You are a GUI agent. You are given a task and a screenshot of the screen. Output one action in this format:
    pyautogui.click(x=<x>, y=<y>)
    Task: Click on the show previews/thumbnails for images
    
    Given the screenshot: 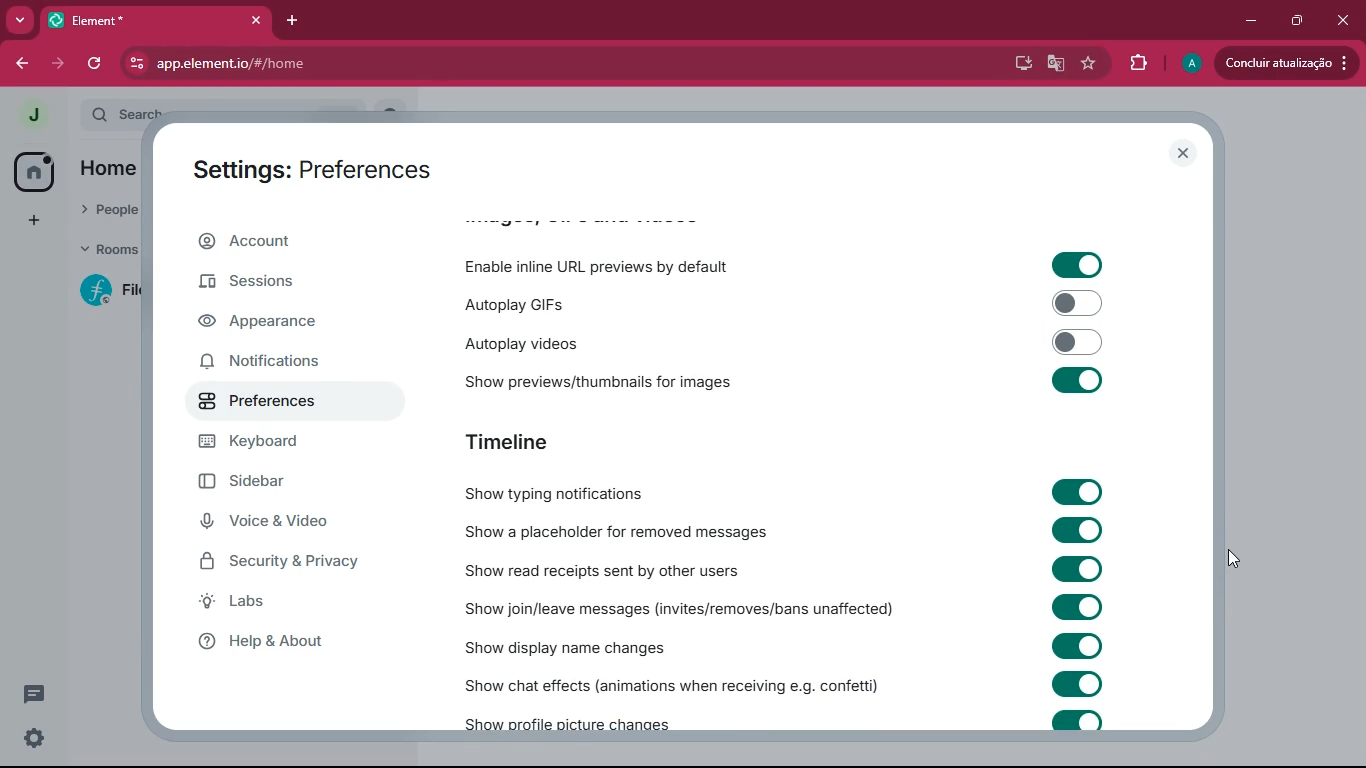 What is the action you would take?
    pyautogui.click(x=592, y=379)
    